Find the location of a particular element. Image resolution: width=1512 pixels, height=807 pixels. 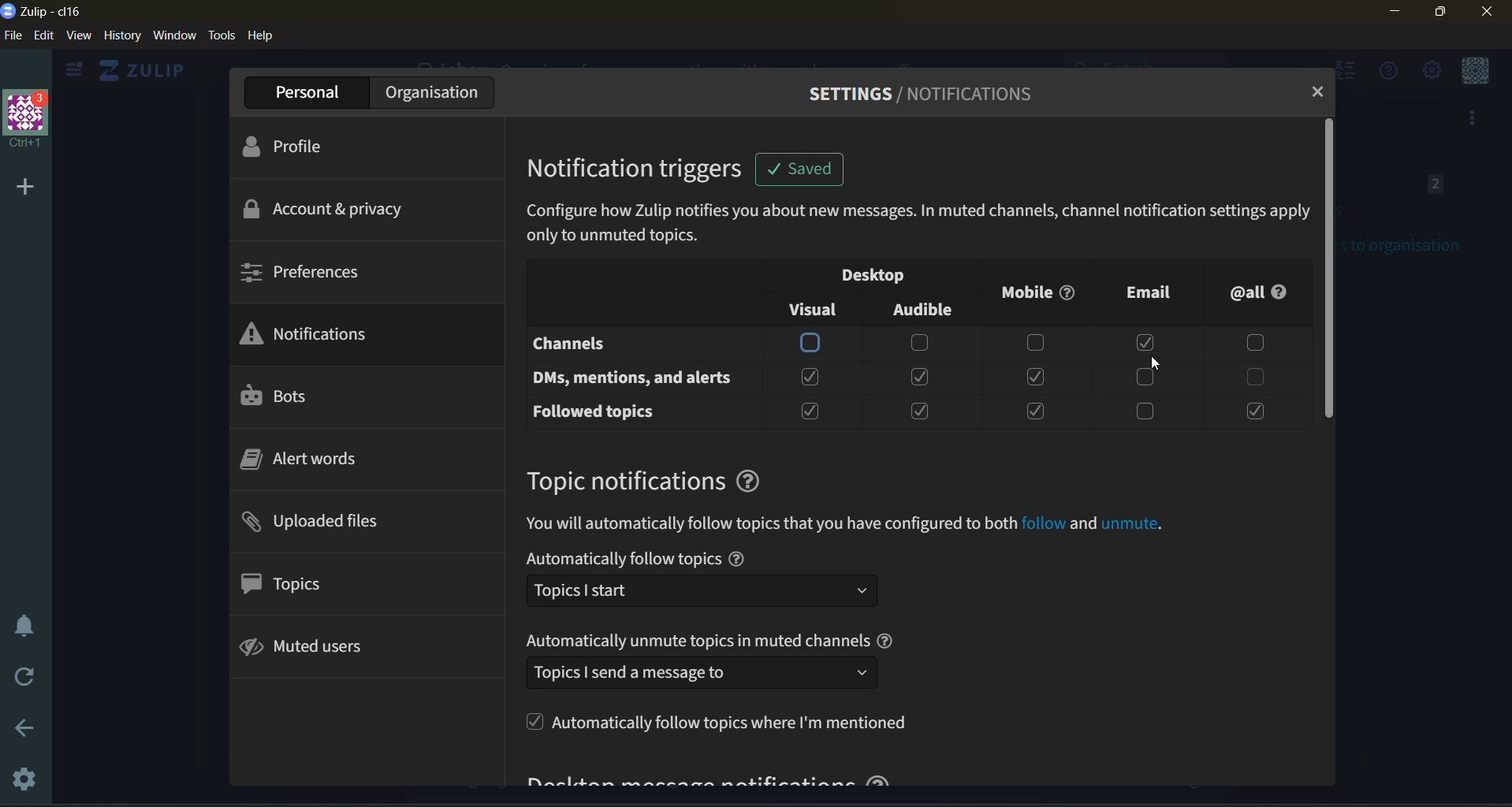

personal menu is located at coordinates (1477, 72).